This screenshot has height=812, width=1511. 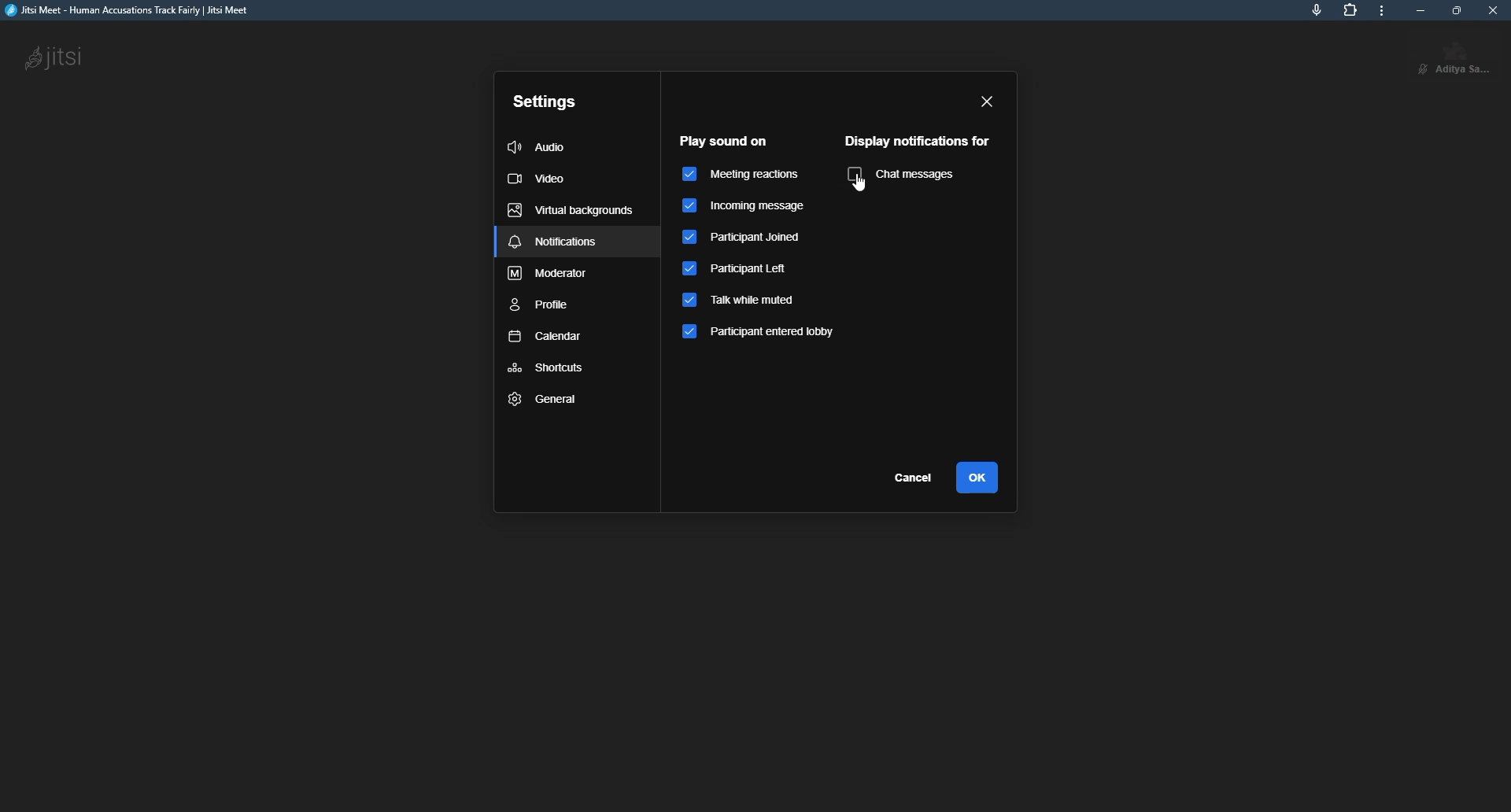 What do you see at coordinates (569, 211) in the screenshot?
I see `virtual backgrounds` at bounding box center [569, 211].